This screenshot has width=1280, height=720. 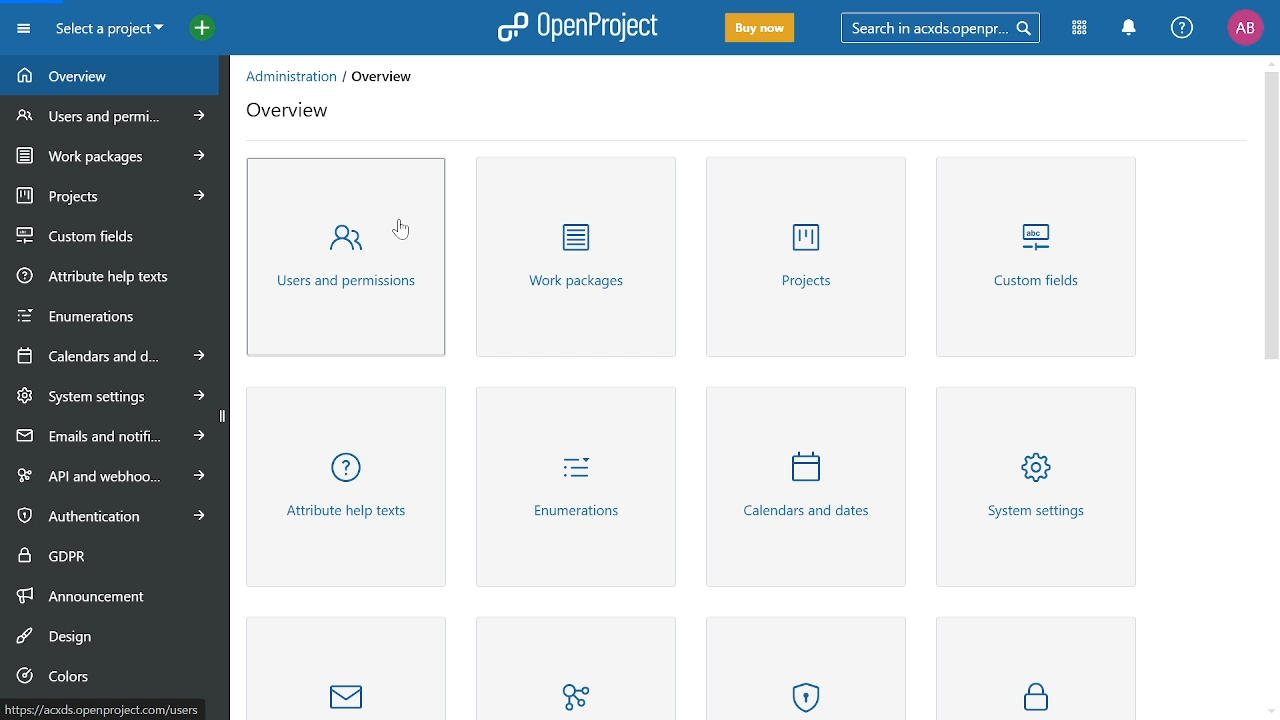 What do you see at coordinates (107, 31) in the screenshot?
I see `Current project` at bounding box center [107, 31].